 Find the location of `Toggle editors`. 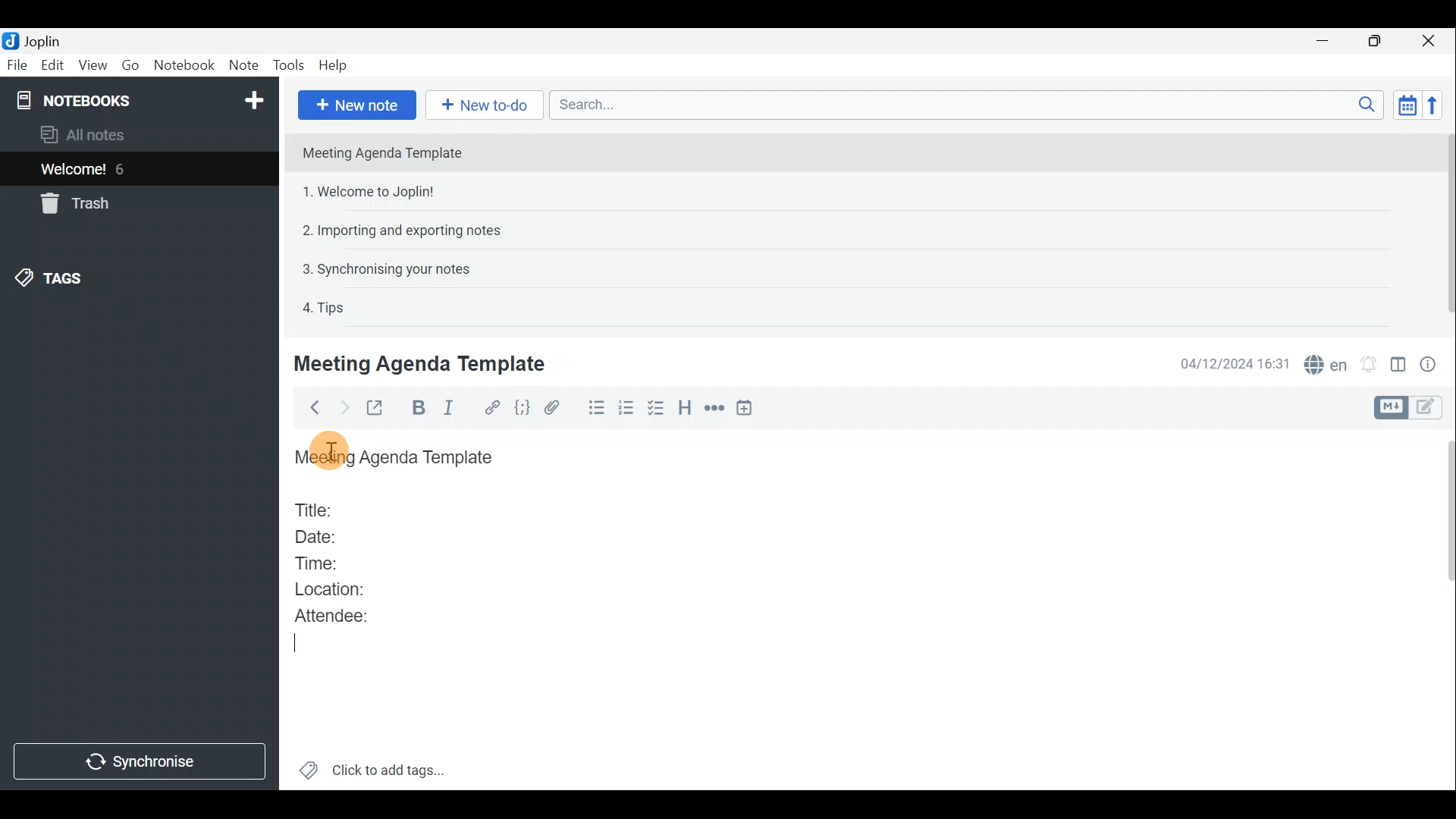

Toggle editors is located at coordinates (1389, 408).